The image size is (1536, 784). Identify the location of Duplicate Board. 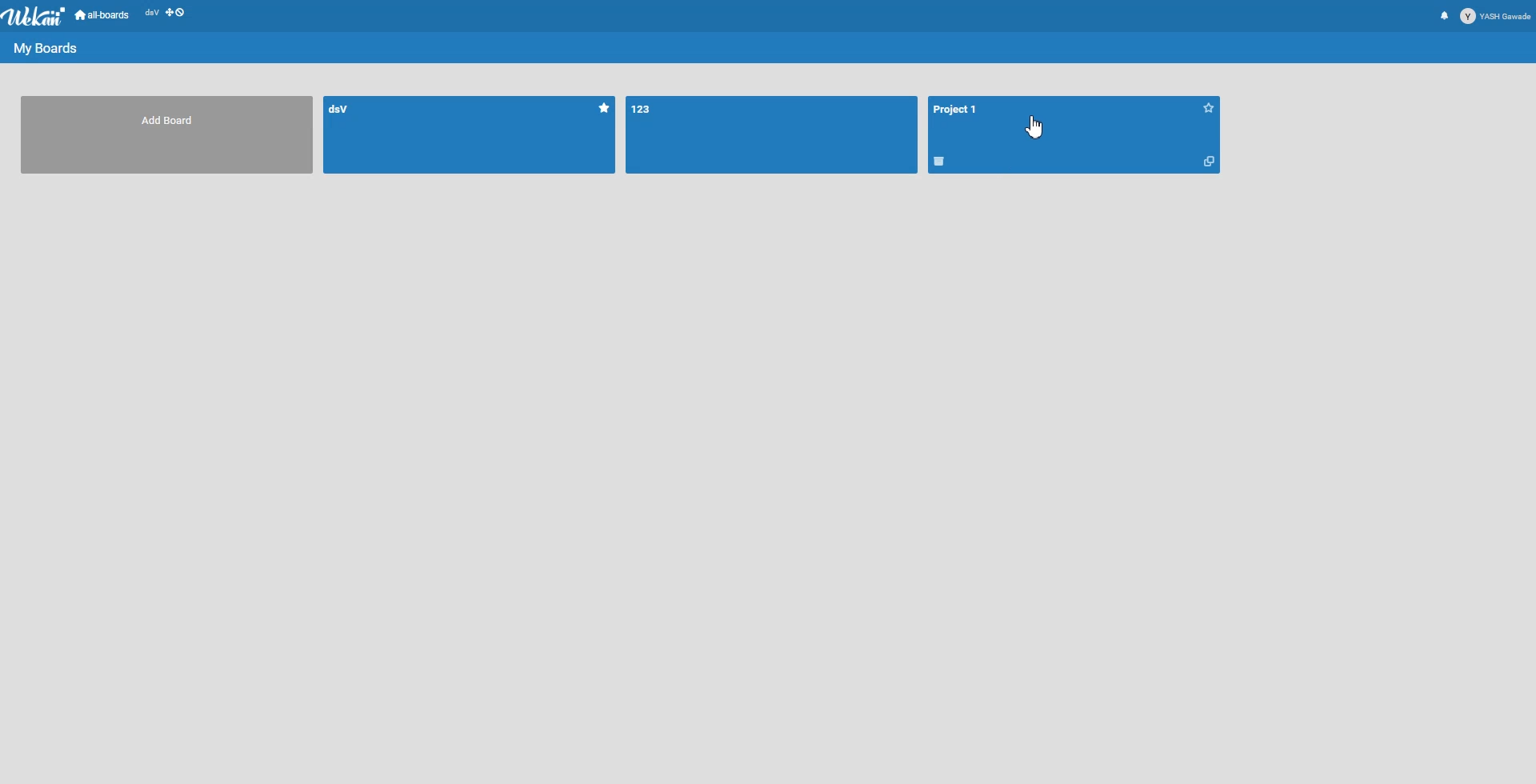
(1209, 161).